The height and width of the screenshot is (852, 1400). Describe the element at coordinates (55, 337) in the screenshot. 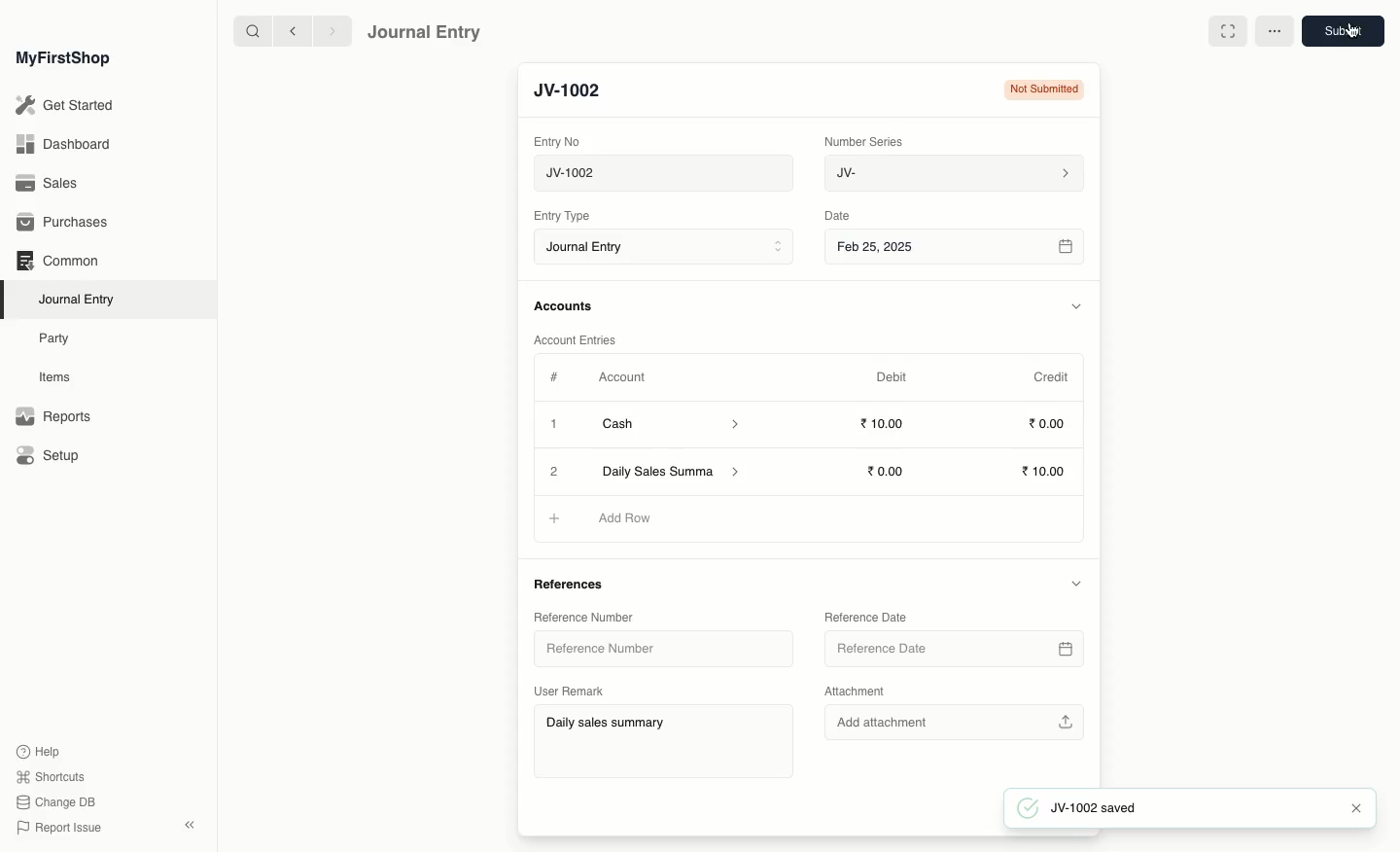

I see `Party` at that location.